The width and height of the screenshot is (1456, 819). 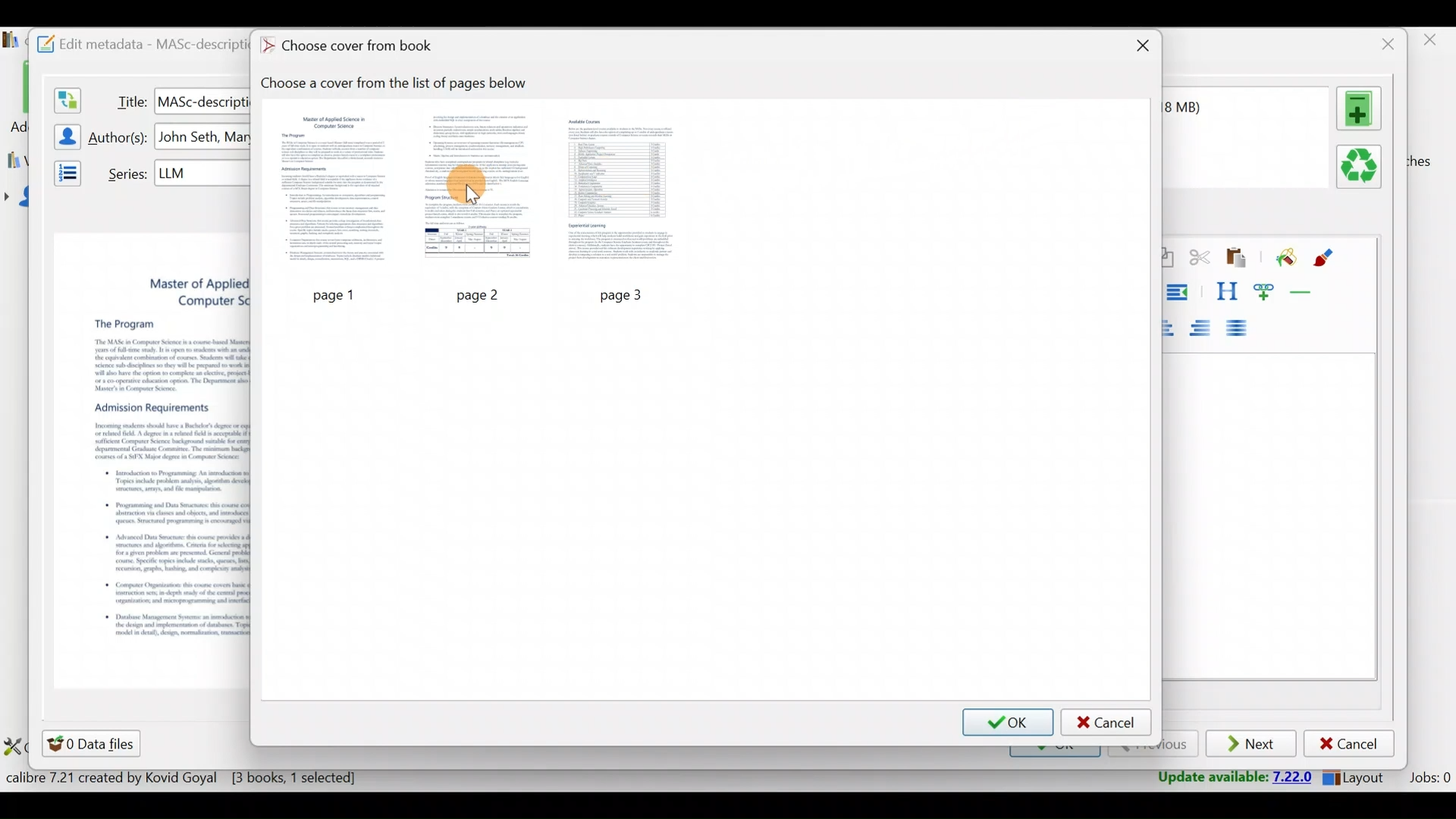 I want to click on , so click(x=204, y=137).